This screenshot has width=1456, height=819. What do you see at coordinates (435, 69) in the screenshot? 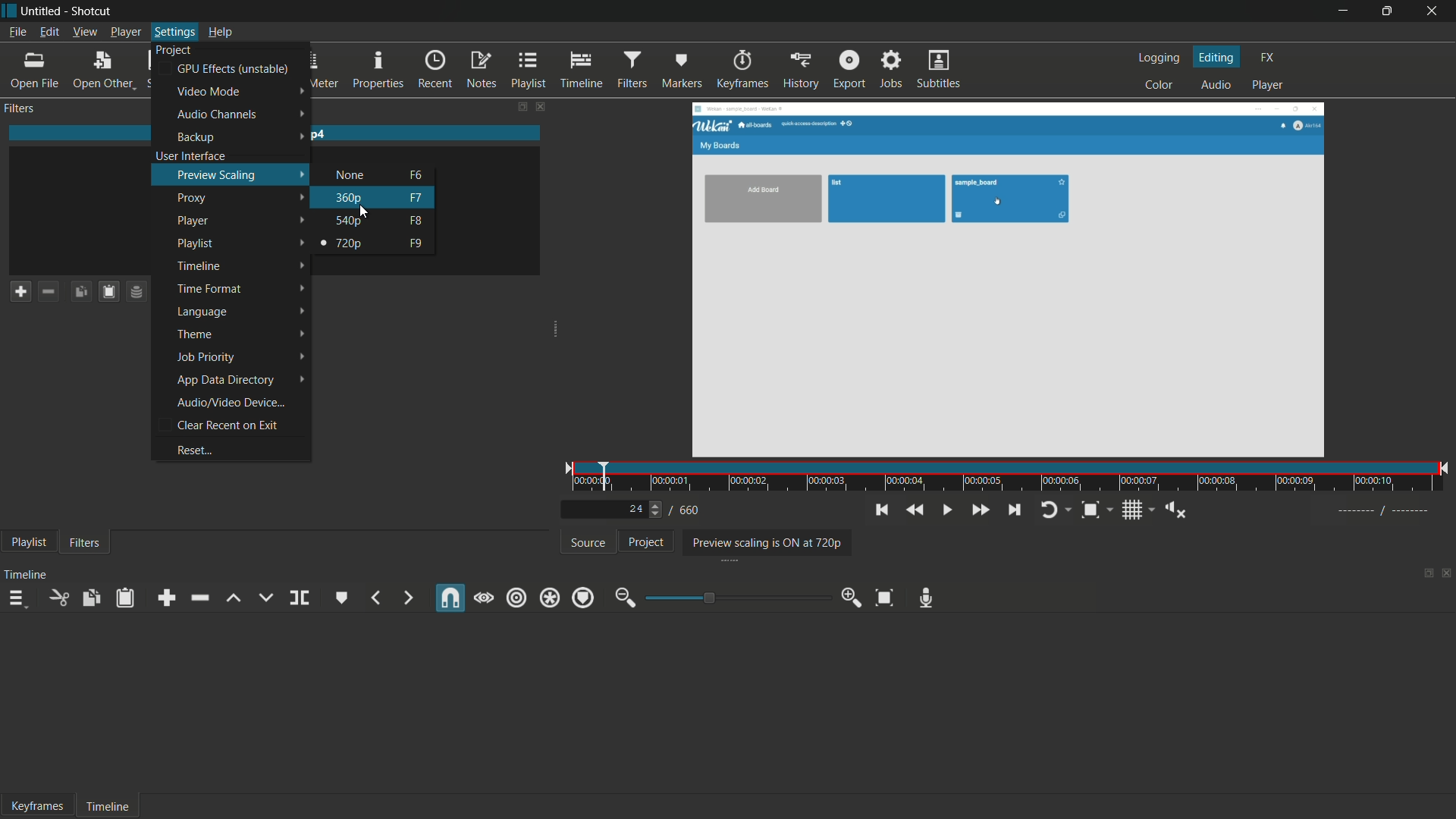
I see `recent` at bounding box center [435, 69].